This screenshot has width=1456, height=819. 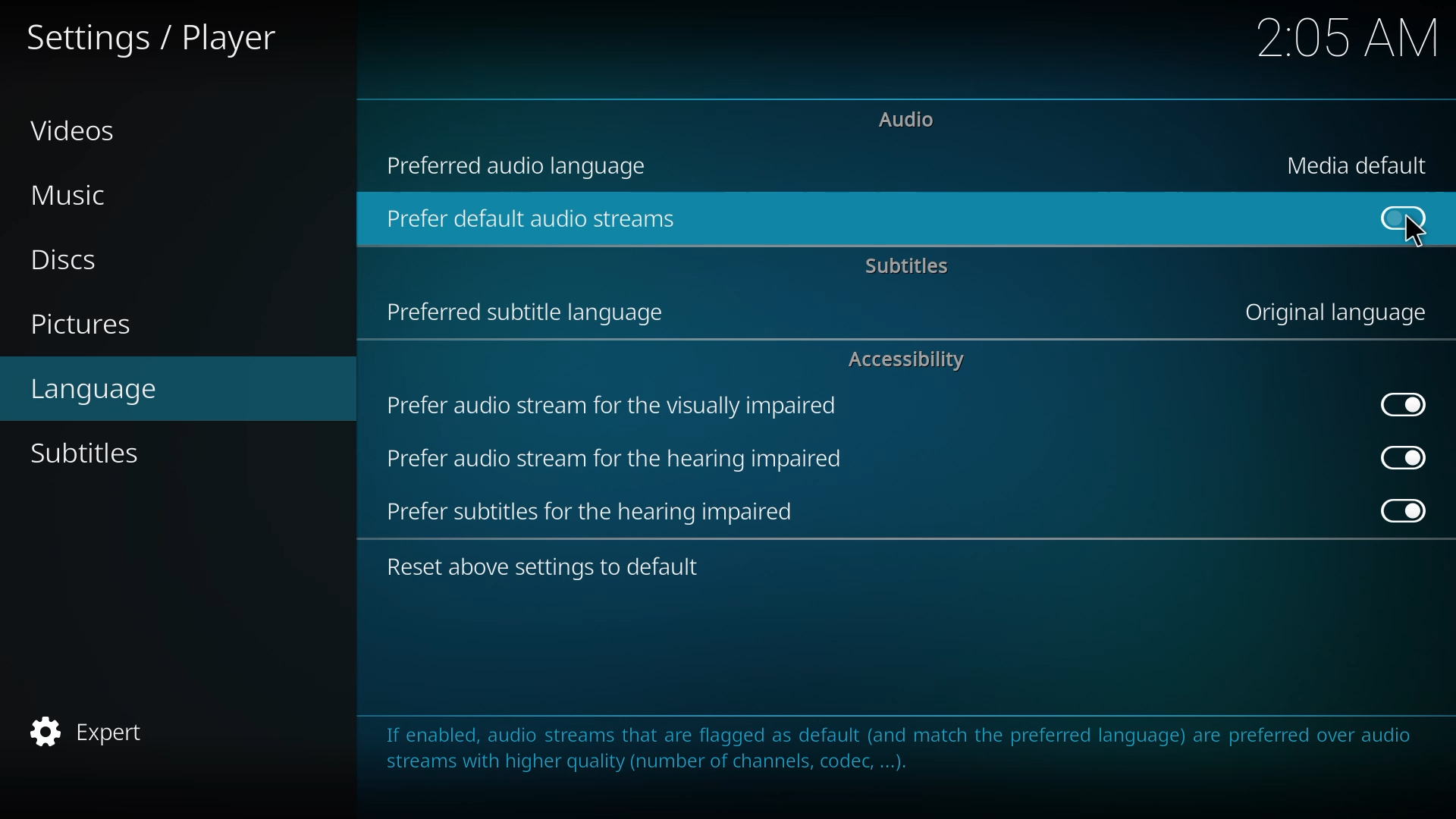 I want to click on subtitles, so click(x=93, y=453).